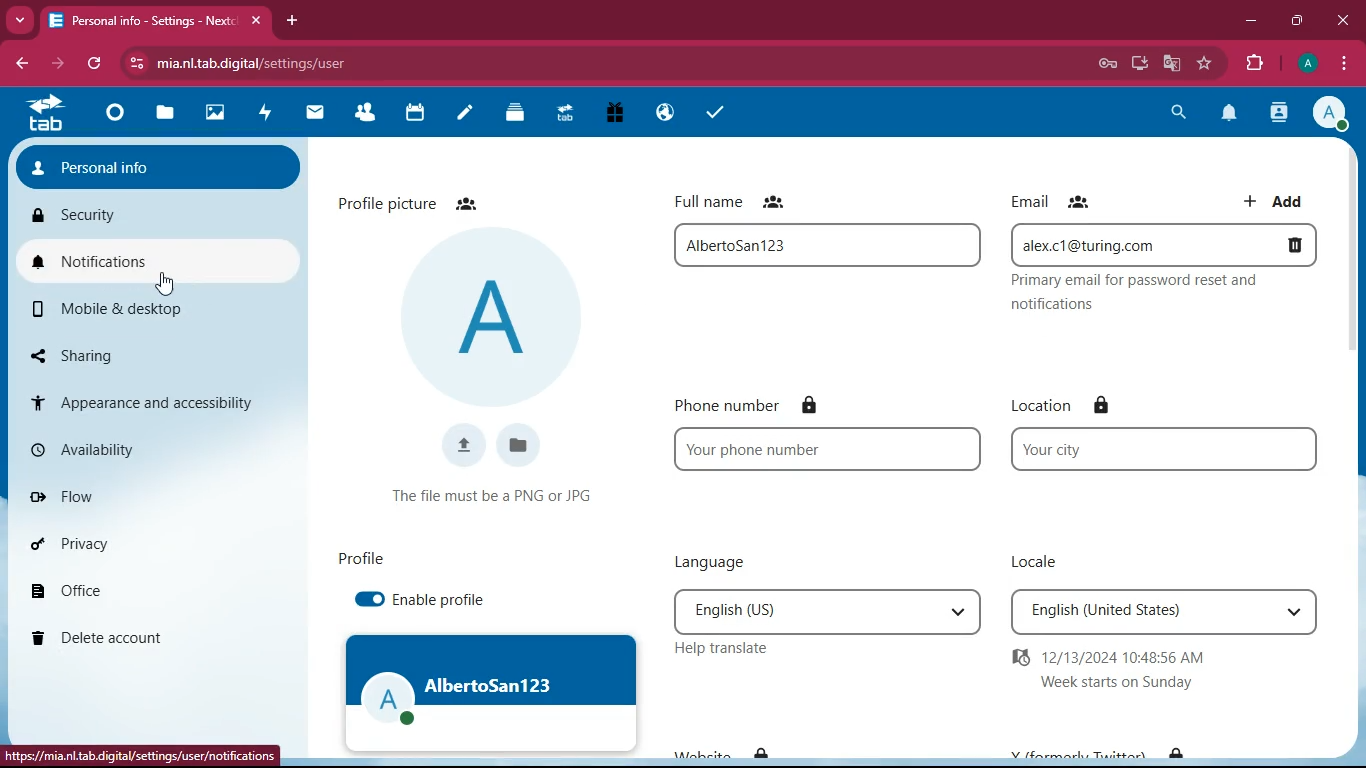 The height and width of the screenshot is (768, 1366). What do you see at coordinates (1174, 61) in the screenshot?
I see `google translate` at bounding box center [1174, 61].